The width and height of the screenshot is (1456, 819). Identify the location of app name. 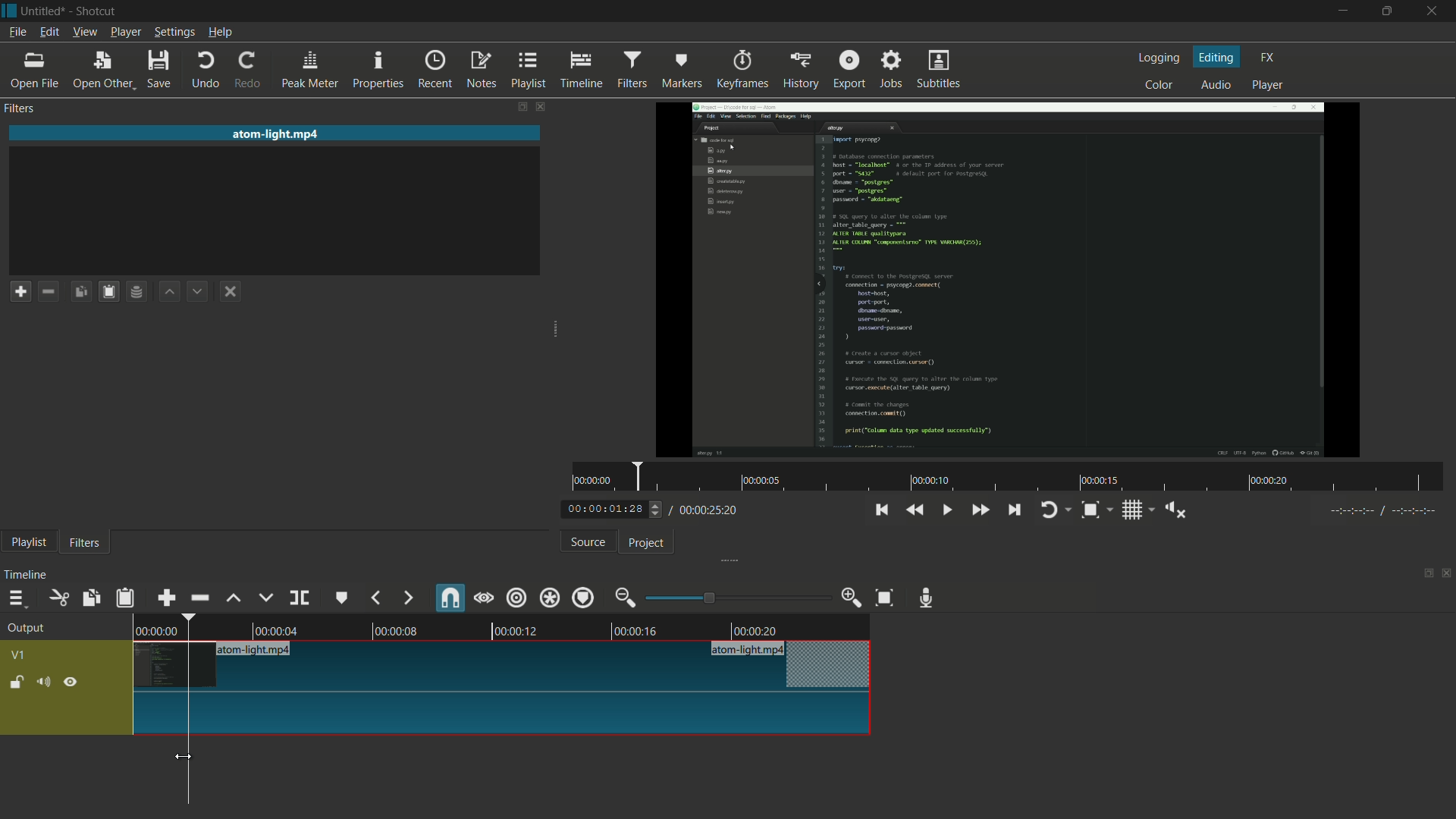
(97, 11).